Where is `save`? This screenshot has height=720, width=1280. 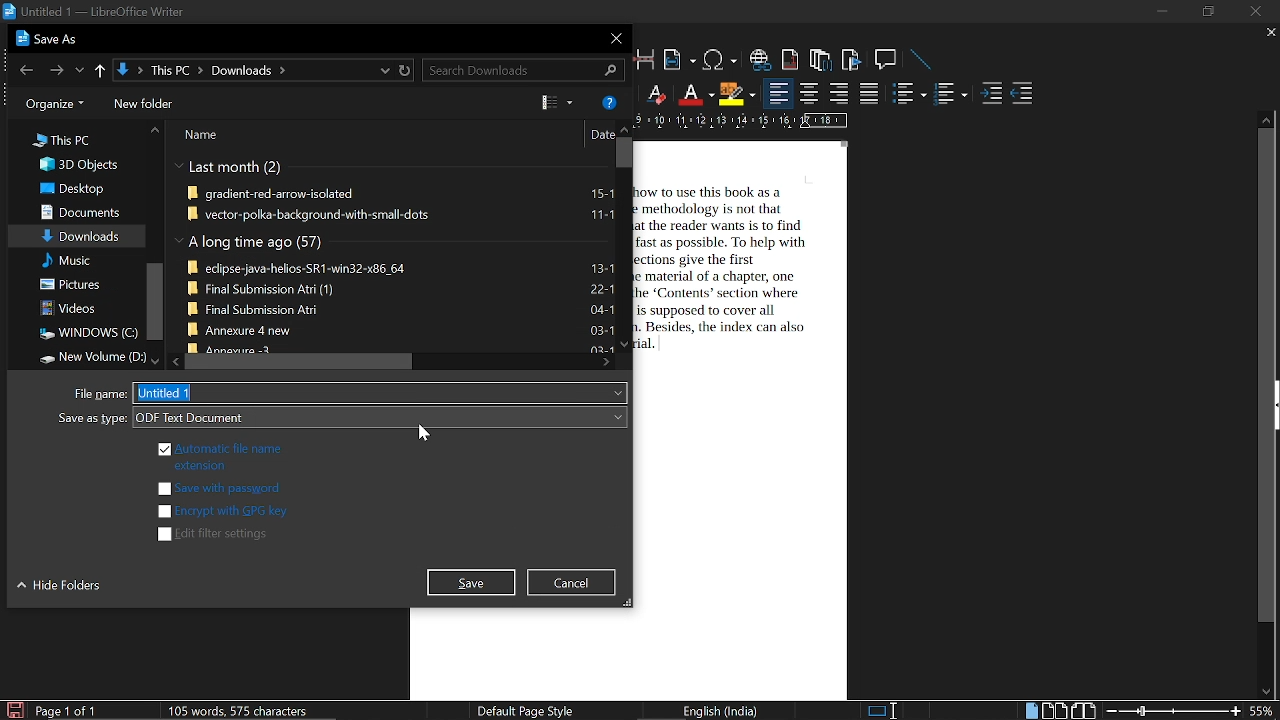
save is located at coordinates (14, 709).